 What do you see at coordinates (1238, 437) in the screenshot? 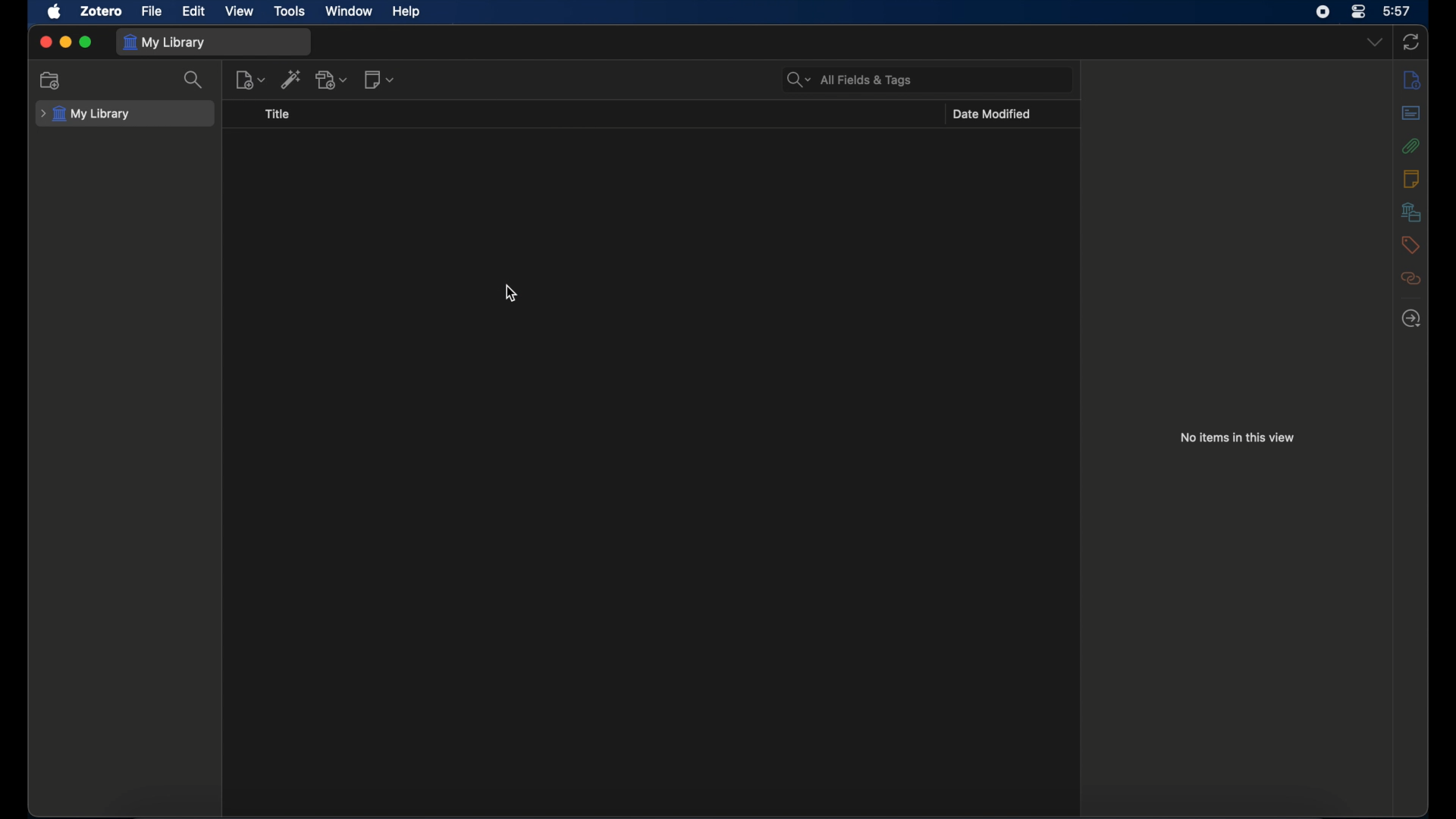
I see `no item in this view` at bounding box center [1238, 437].